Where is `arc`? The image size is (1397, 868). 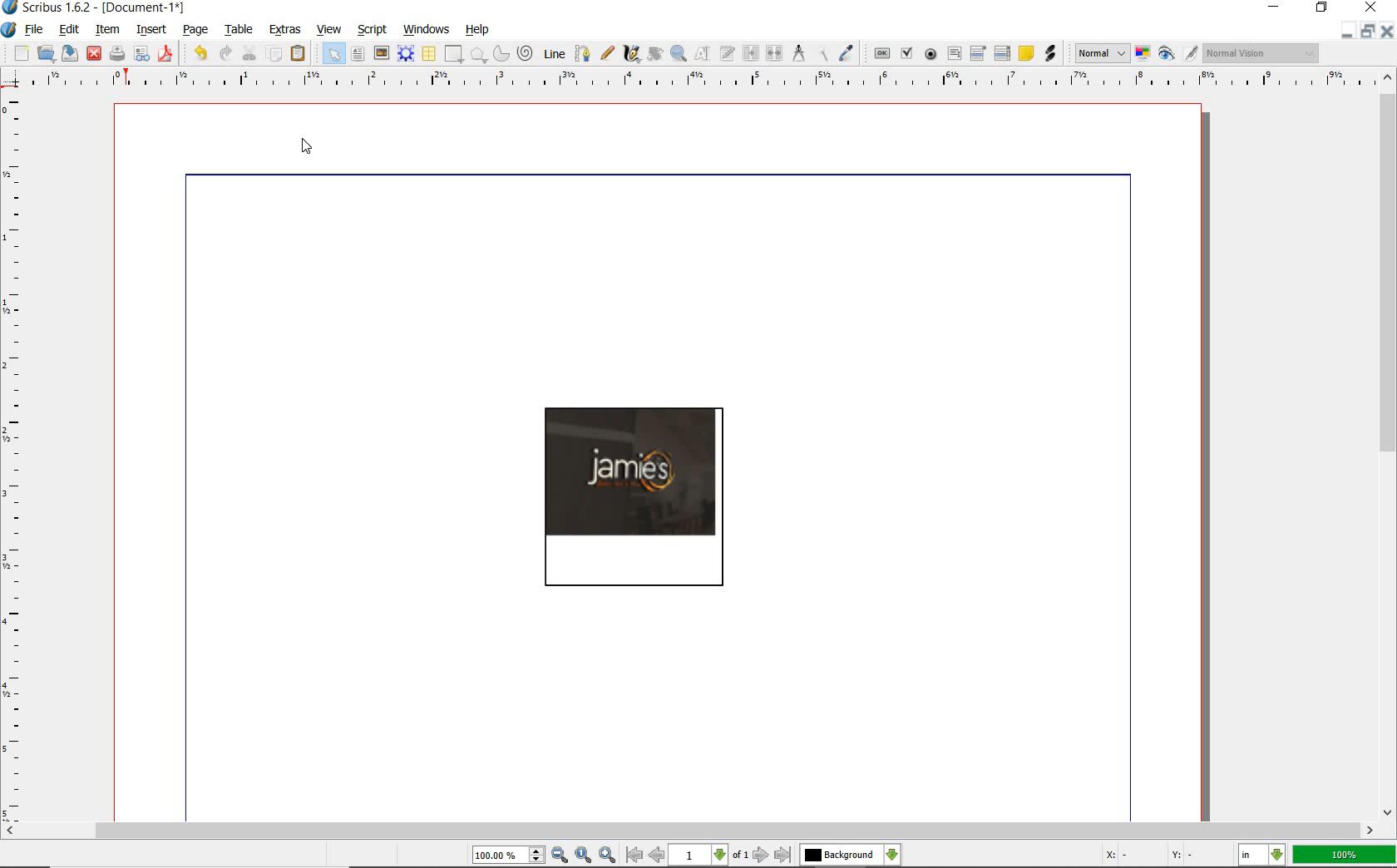
arc is located at coordinates (501, 54).